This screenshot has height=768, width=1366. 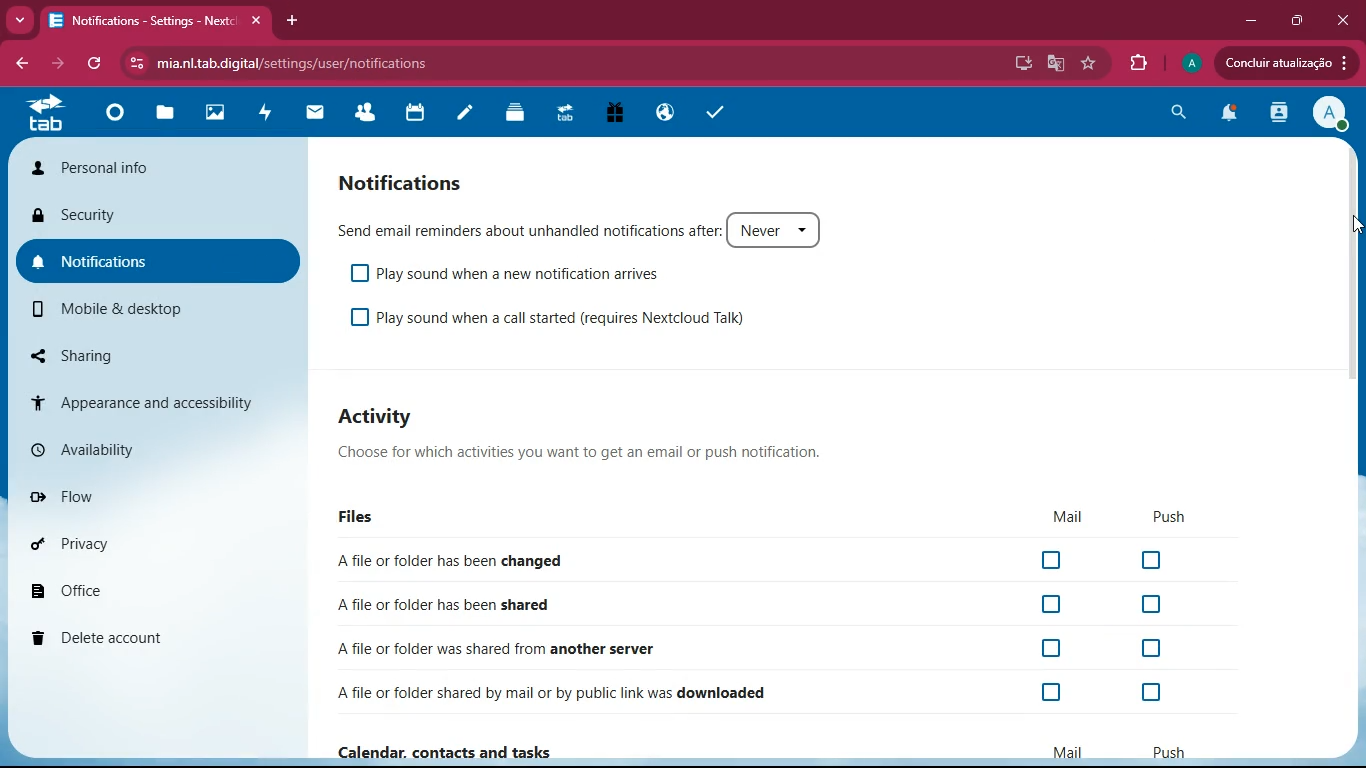 I want to click on Calendar. contacts and tasks Mail Push, so click(x=766, y=752).